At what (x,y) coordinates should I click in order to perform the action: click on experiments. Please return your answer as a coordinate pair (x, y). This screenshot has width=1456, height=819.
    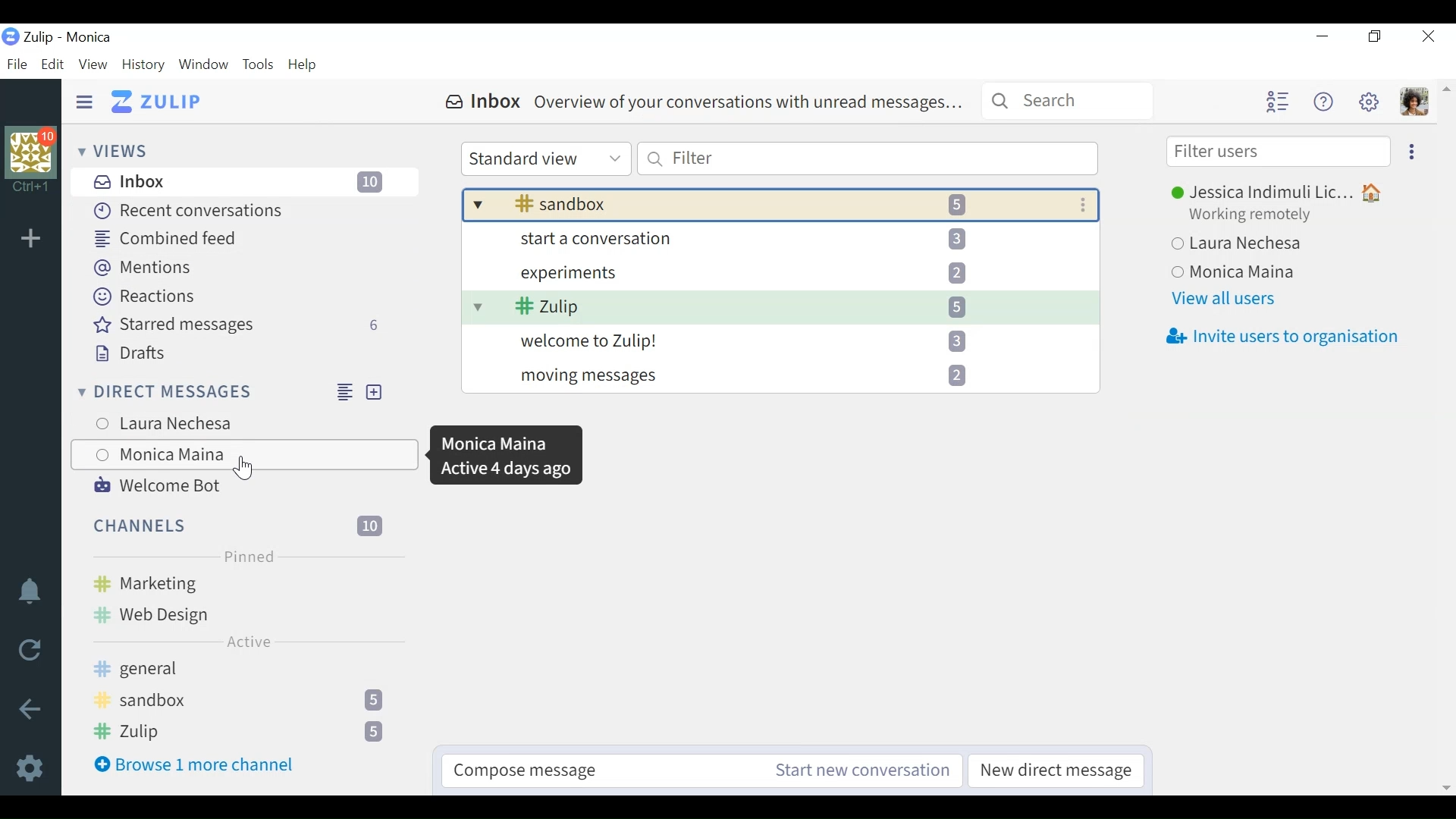
    Looking at the image, I should click on (777, 275).